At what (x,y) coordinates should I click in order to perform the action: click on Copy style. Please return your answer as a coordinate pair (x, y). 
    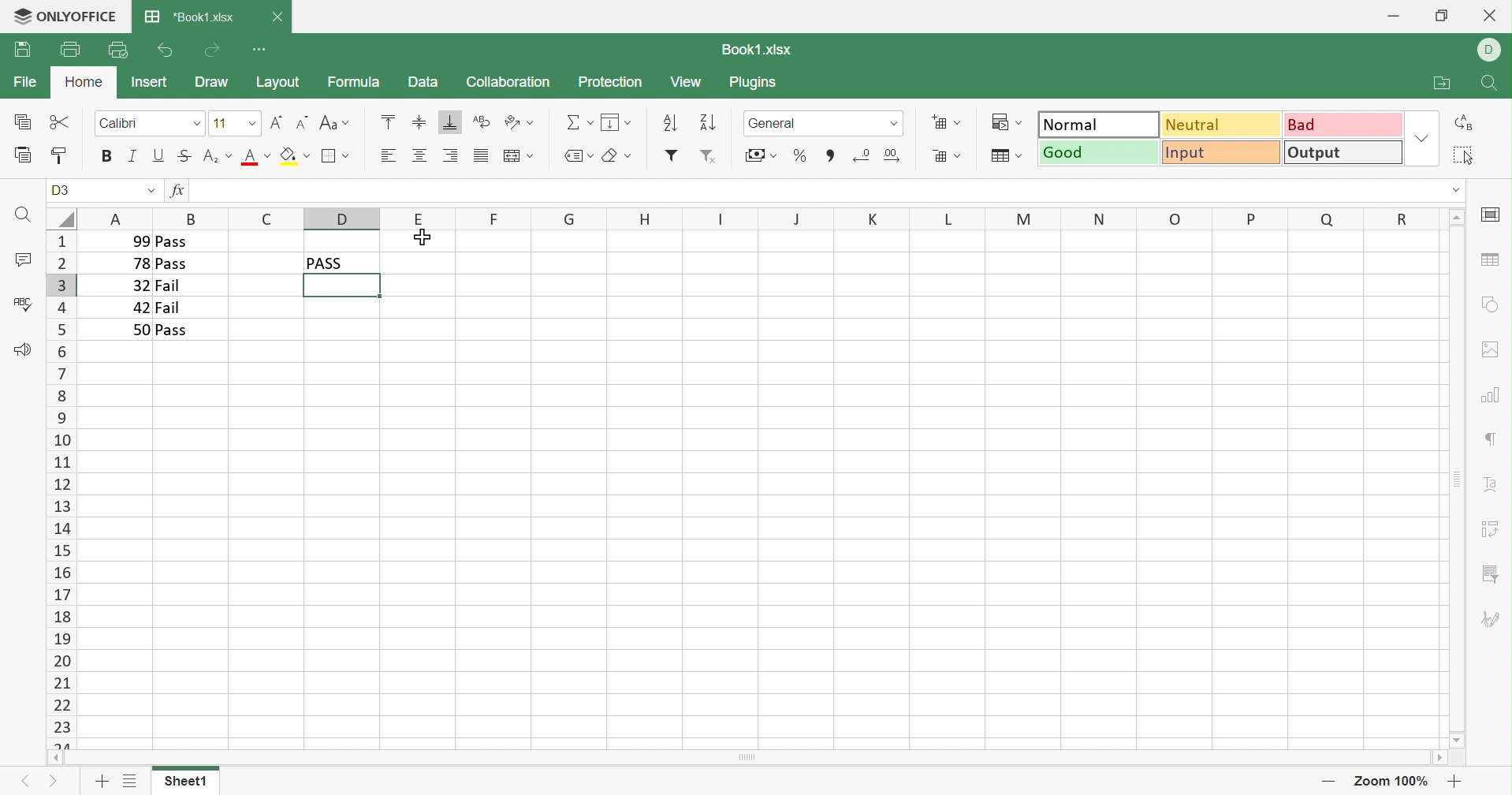
    Looking at the image, I should click on (58, 157).